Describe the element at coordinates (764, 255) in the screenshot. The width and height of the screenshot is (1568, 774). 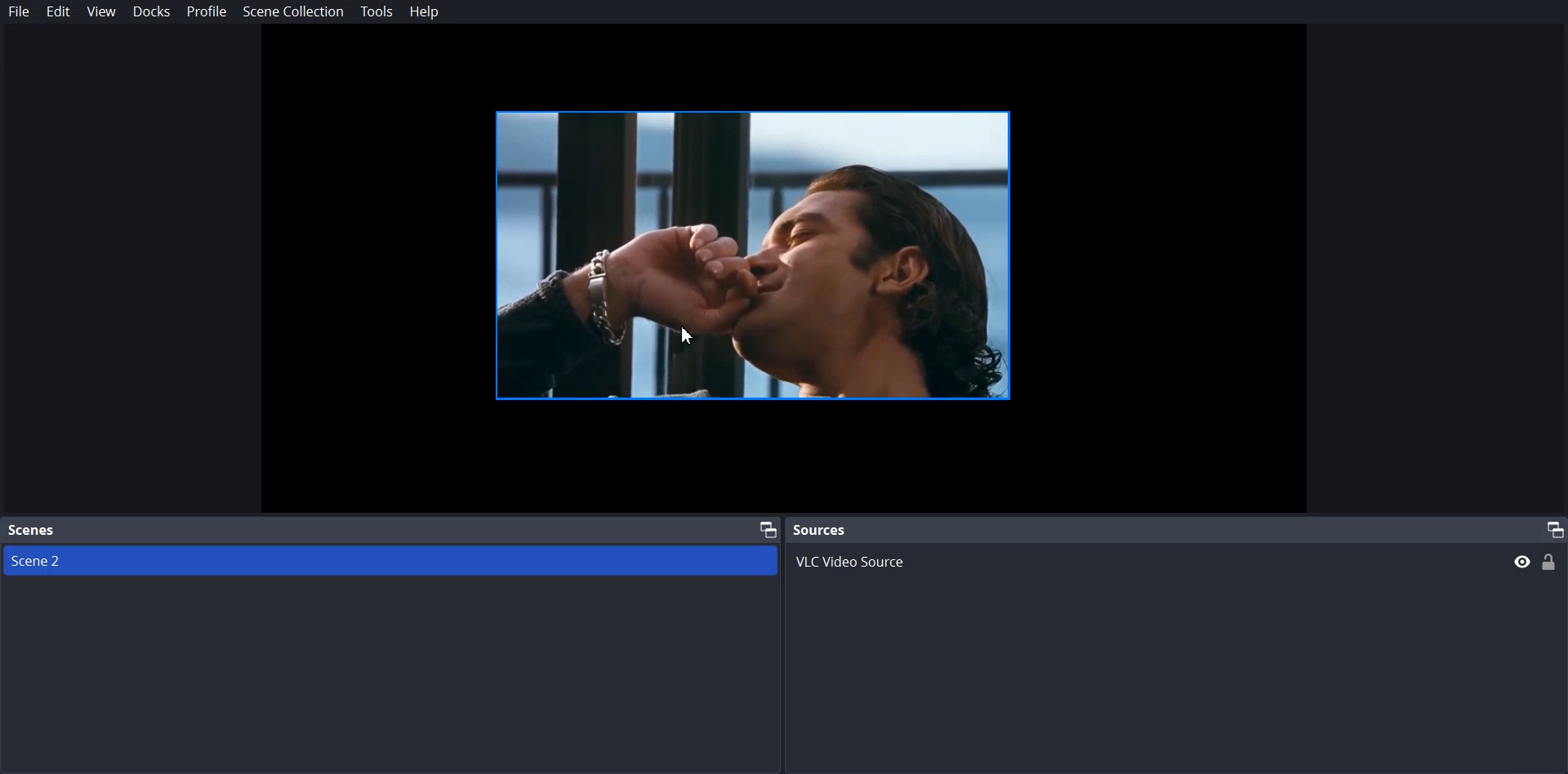
I see `File Preview window` at that location.